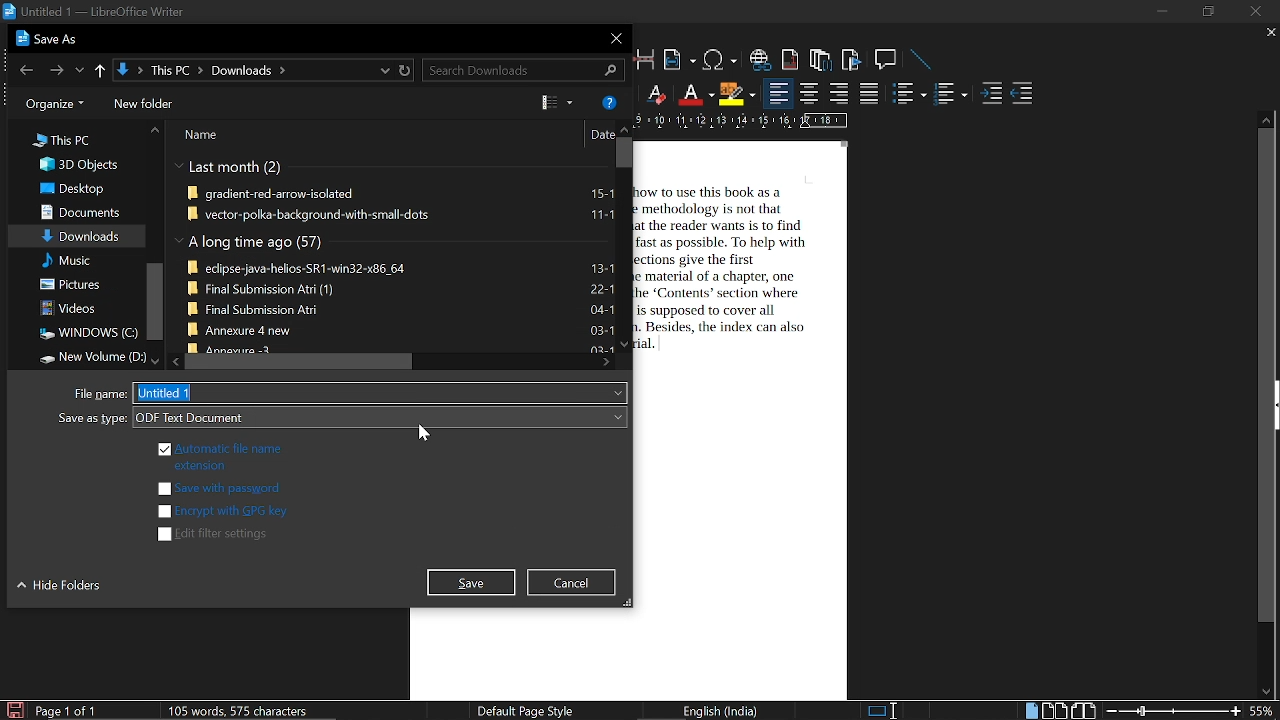 Image resolution: width=1280 pixels, height=720 pixels. I want to click on toggle unordered list, so click(950, 94).